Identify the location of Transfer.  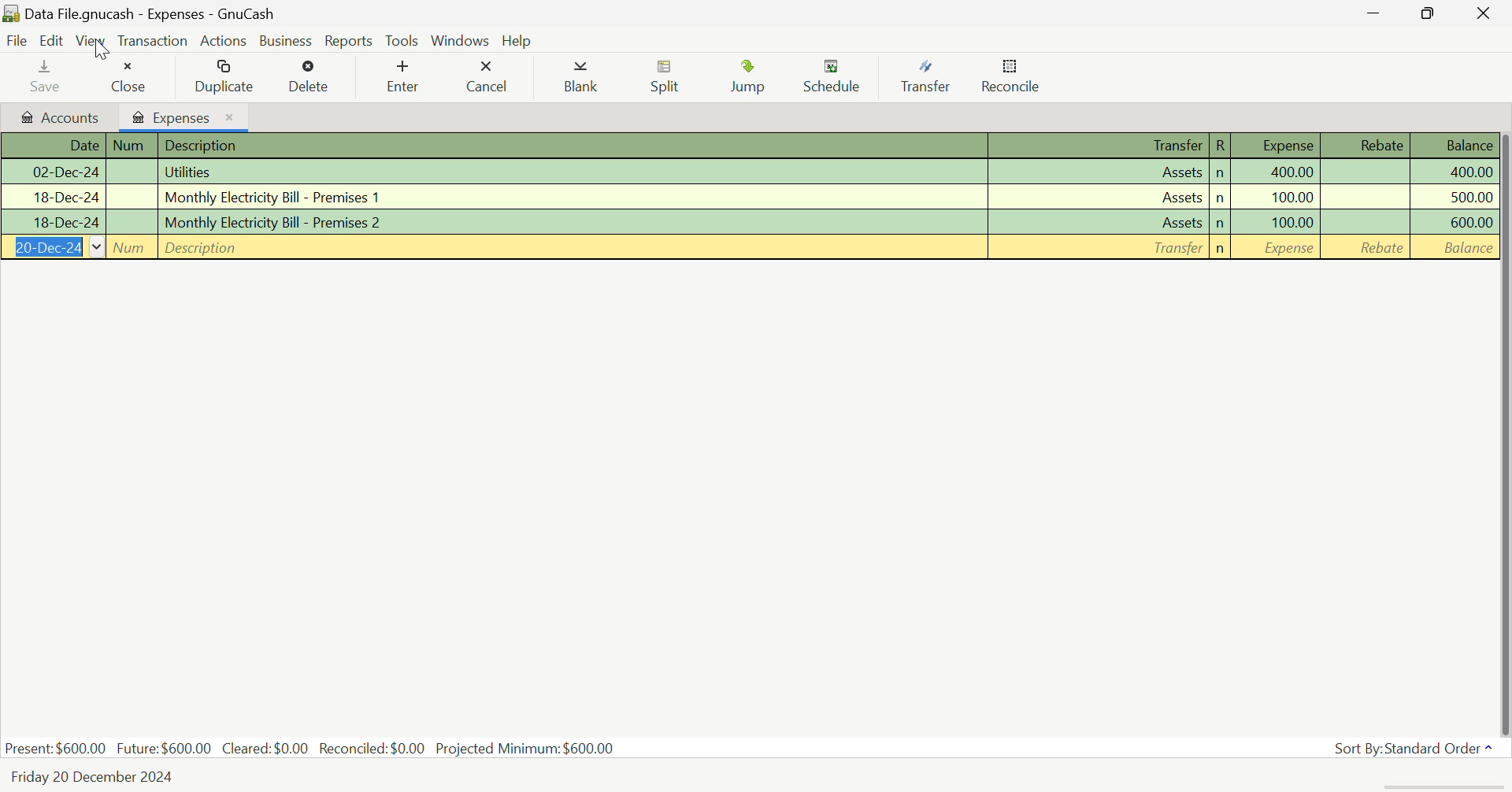
(1097, 247).